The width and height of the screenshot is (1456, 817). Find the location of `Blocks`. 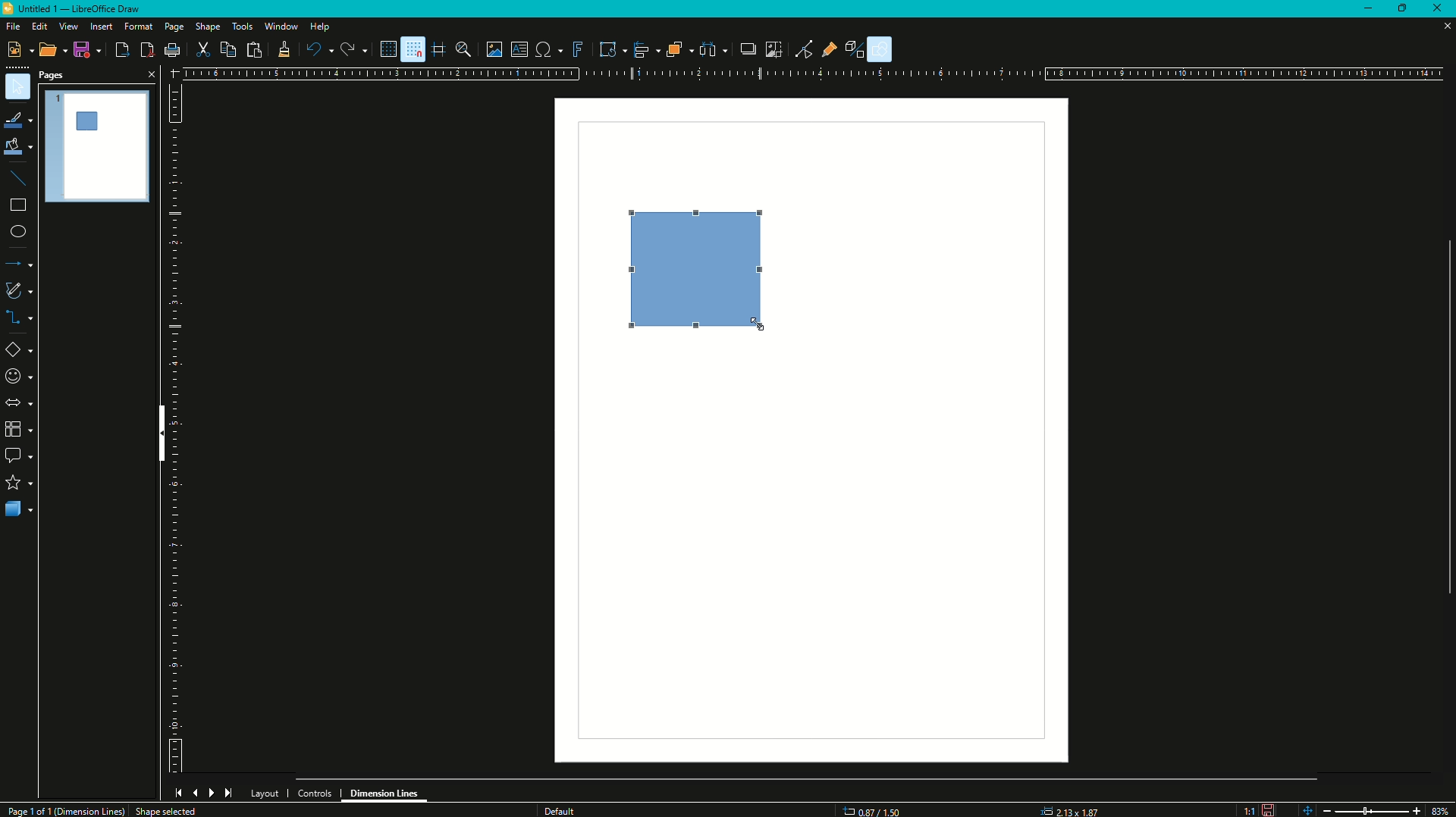

Blocks is located at coordinates (17, 429).